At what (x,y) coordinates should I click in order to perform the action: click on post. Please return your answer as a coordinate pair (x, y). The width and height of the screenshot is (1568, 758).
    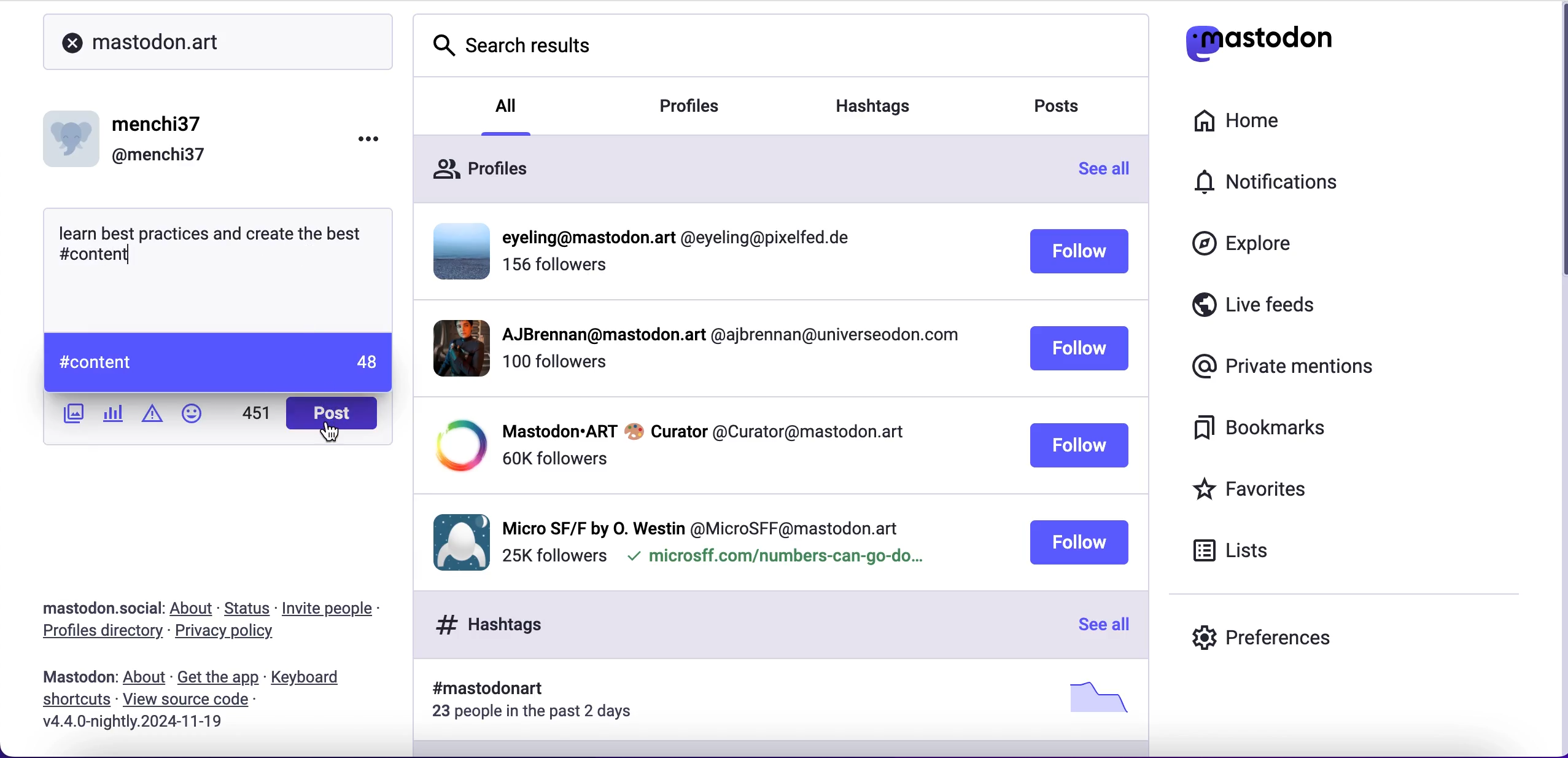
    Looking at the image, I should click on (330, 413).